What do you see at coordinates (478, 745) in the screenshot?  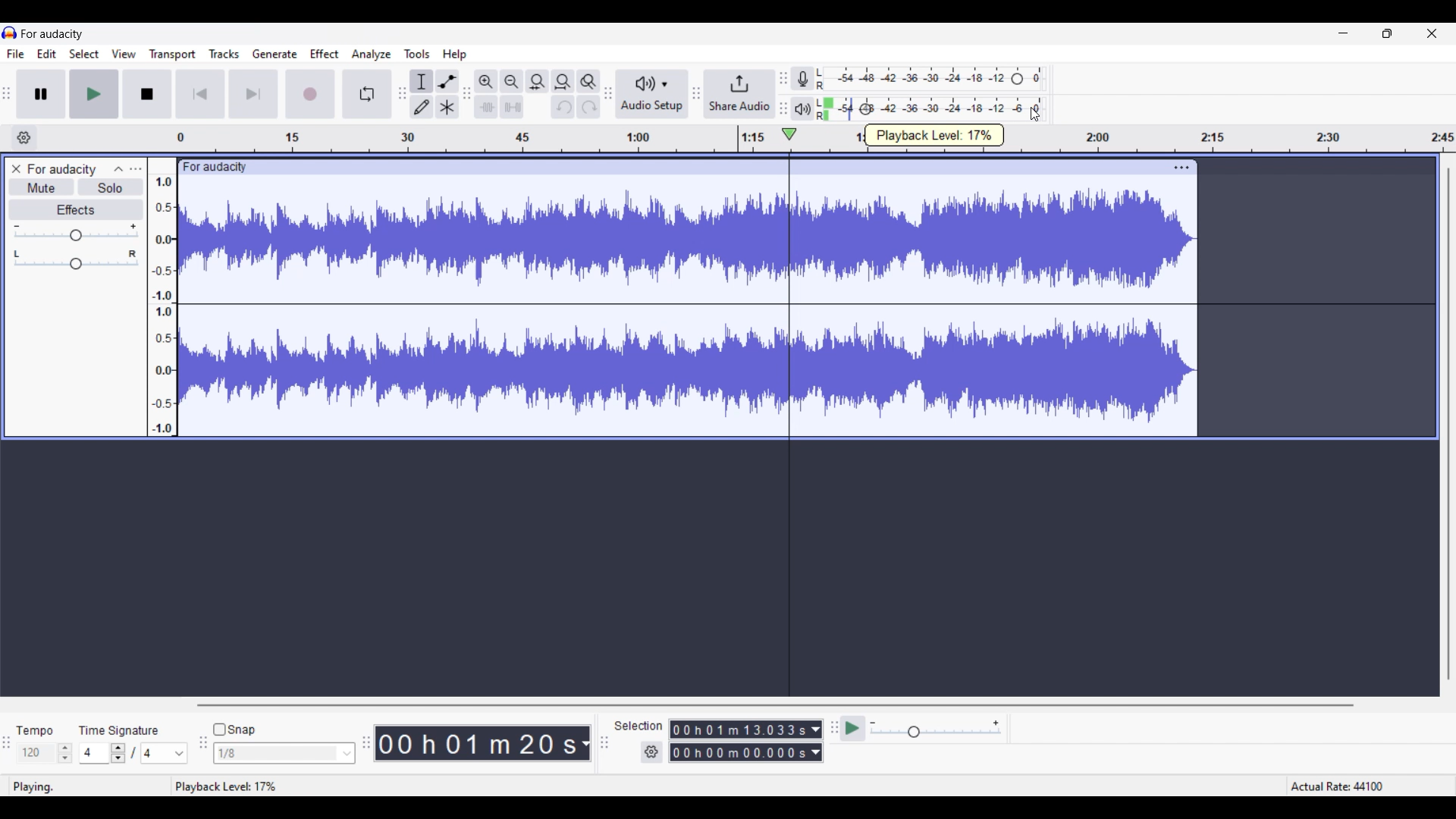 I see `Current duration changed` at bounding box center [478, 745].